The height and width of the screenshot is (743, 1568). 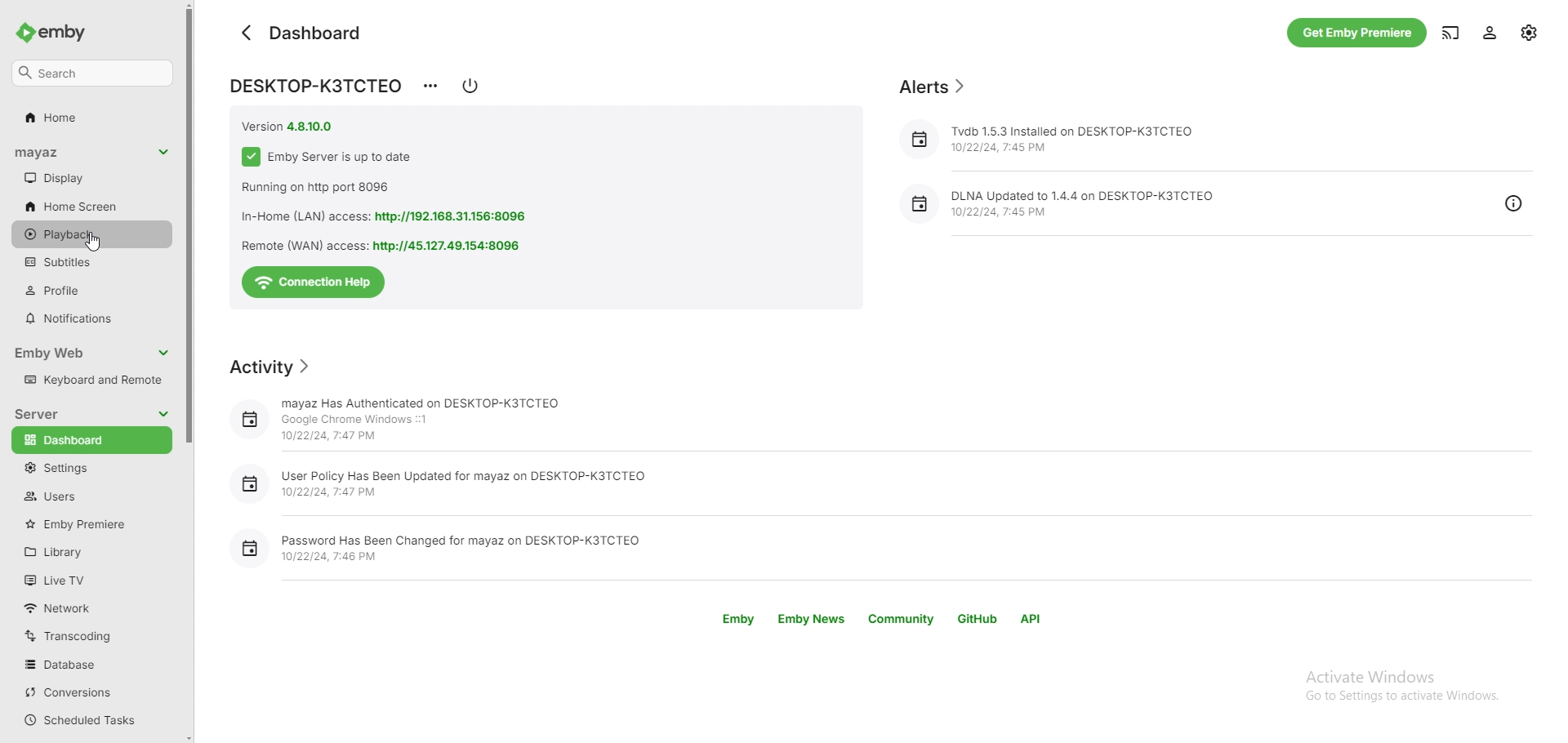 I want to click on settings, so click(x=1528, y=33).